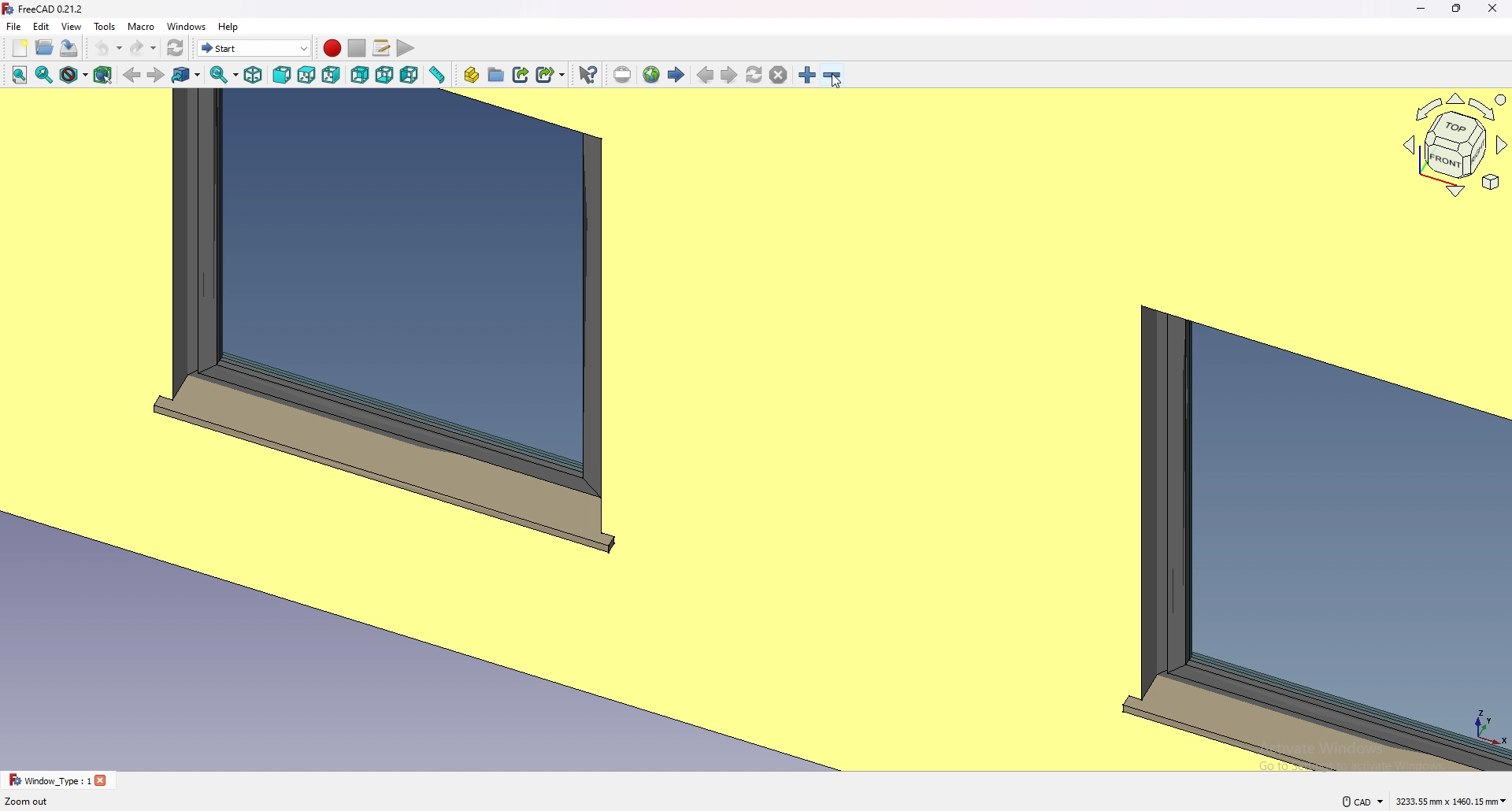 The image size is (1512, 811). What do you see at coordinates (45, 74) in the screenshot?
I see `fit selection` at bounding box center [45, 74].